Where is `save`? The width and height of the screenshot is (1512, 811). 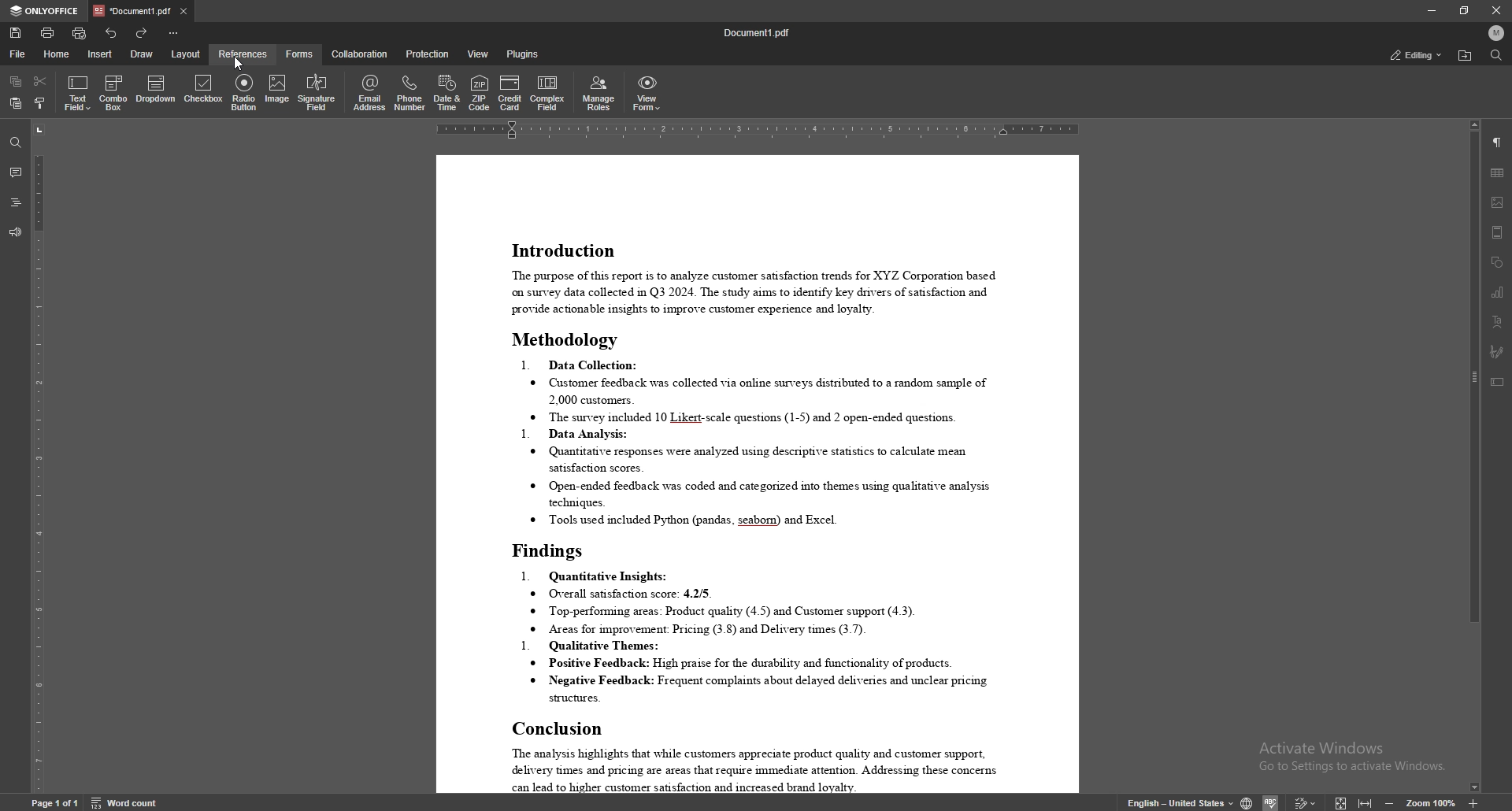
save is located at coordinates (16, 33).